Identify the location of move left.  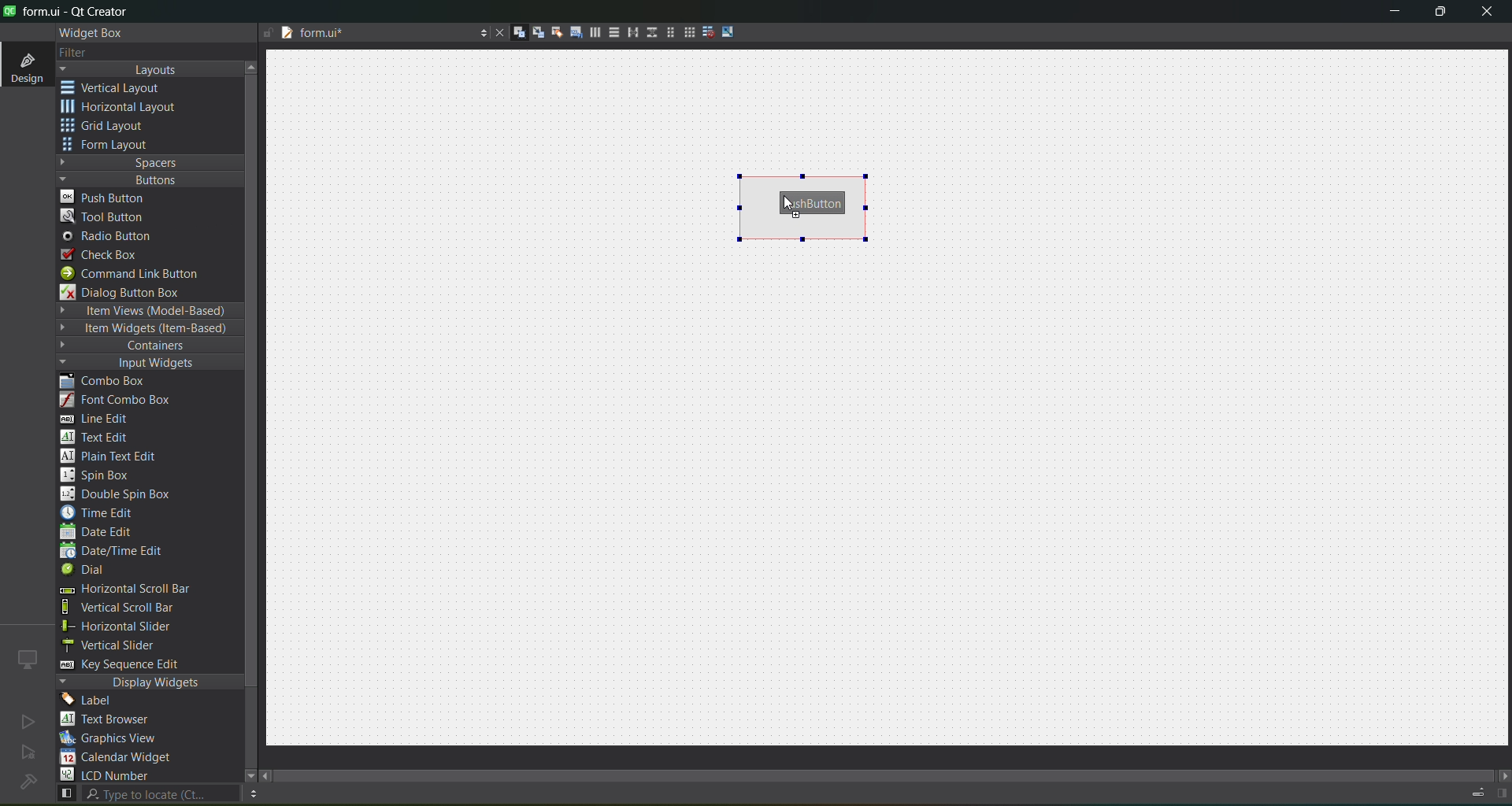
(268, 777).